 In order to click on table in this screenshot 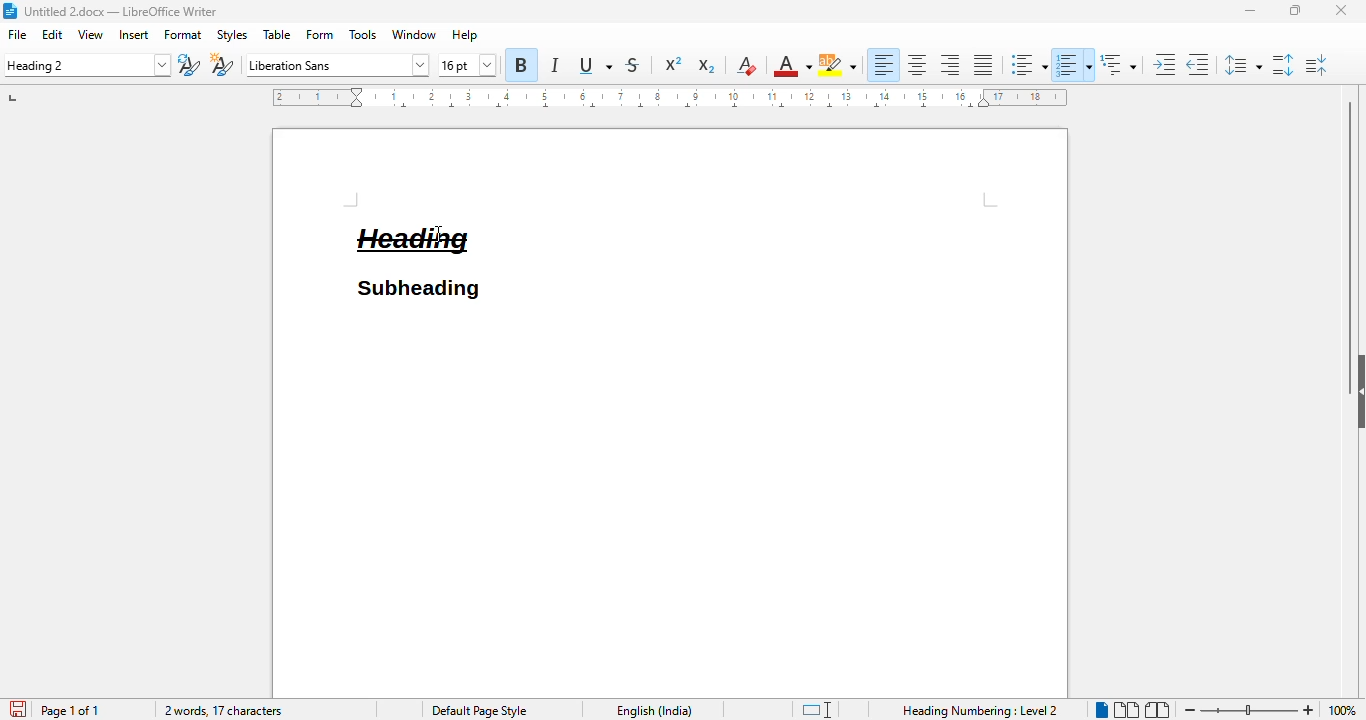, I will do `click(278, 34)`.